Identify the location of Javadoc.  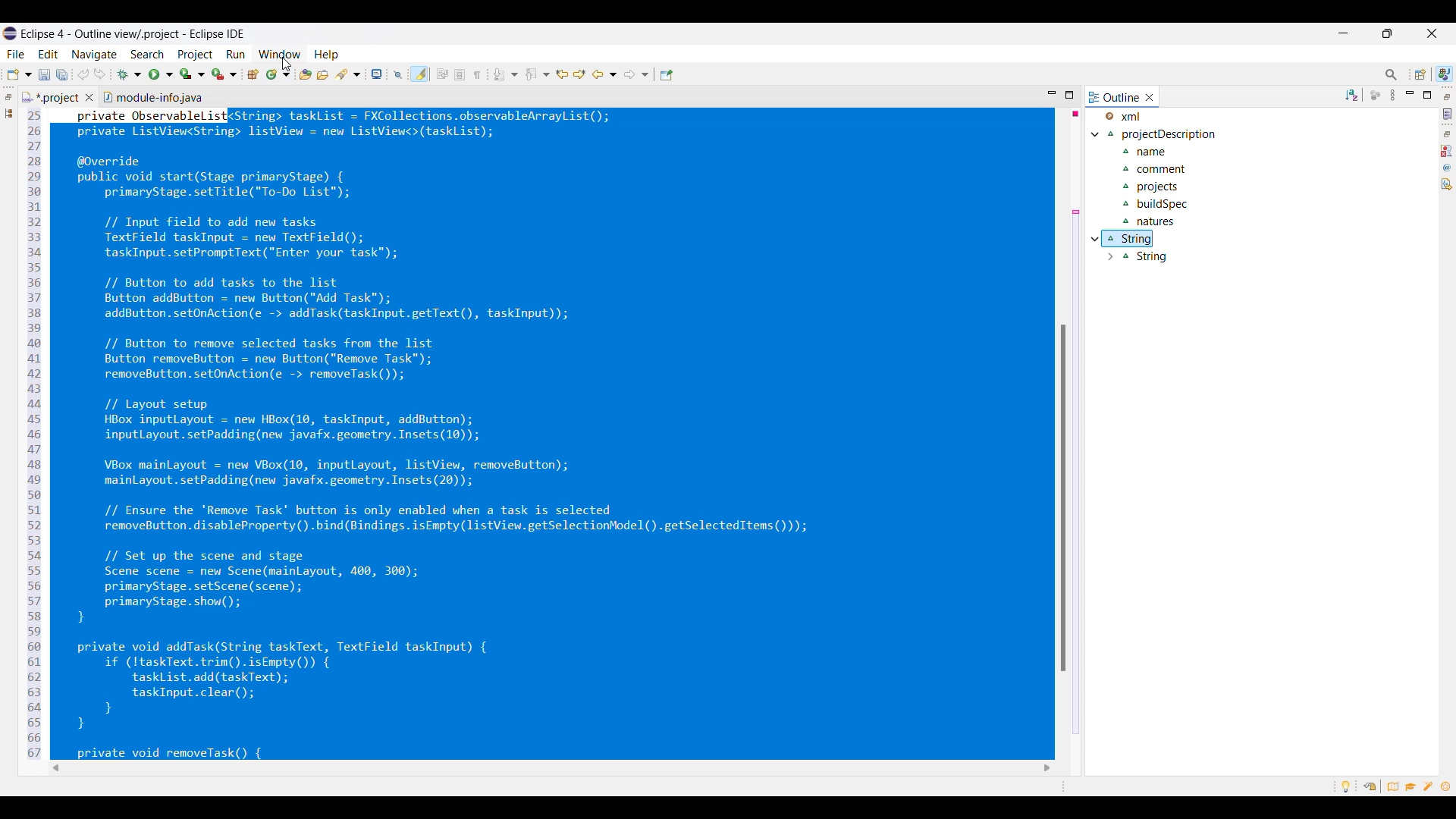
(1447, 168).